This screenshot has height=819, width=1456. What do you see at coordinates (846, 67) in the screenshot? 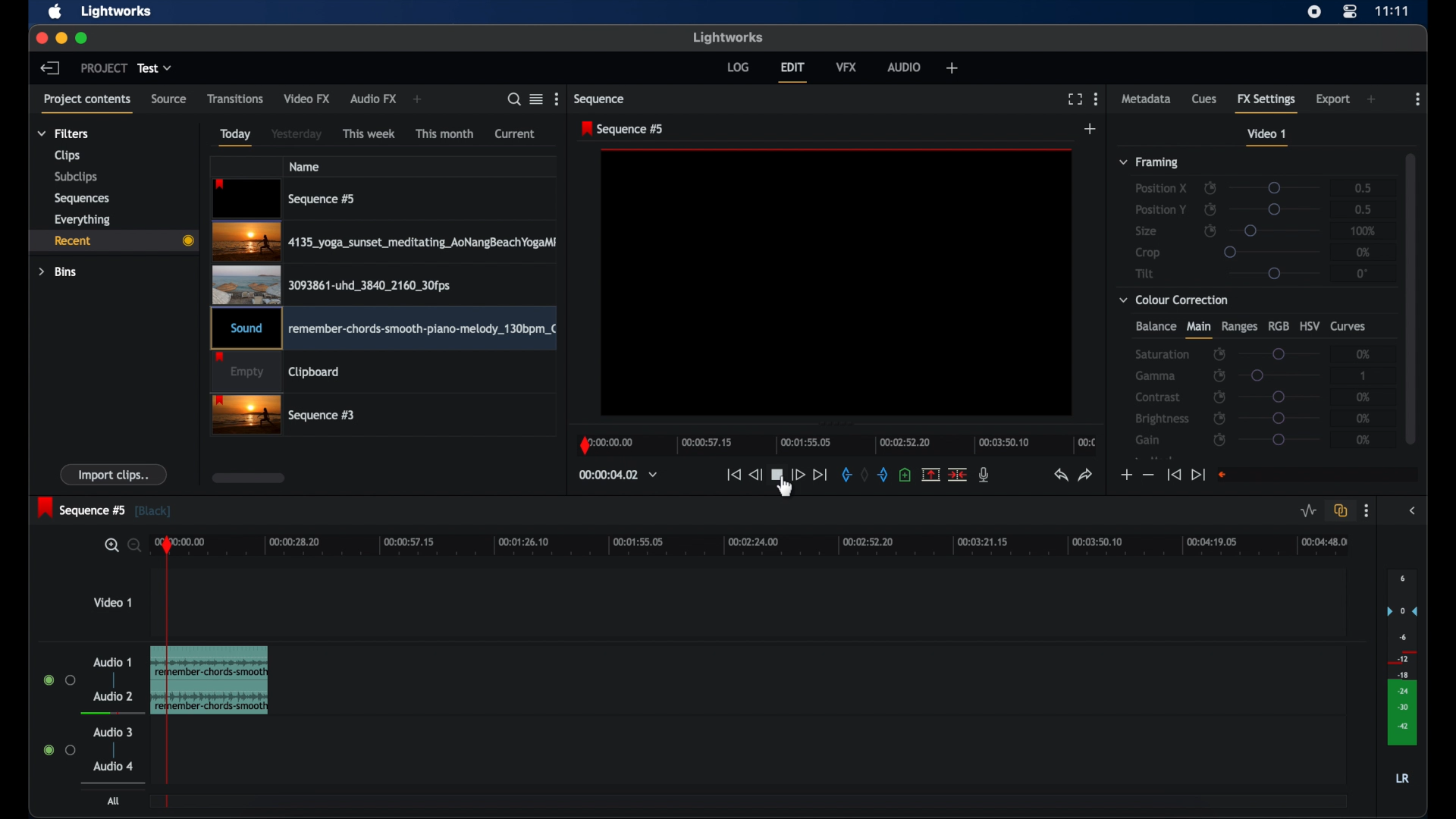
I see `vfx` at bounding box center [846, 67].